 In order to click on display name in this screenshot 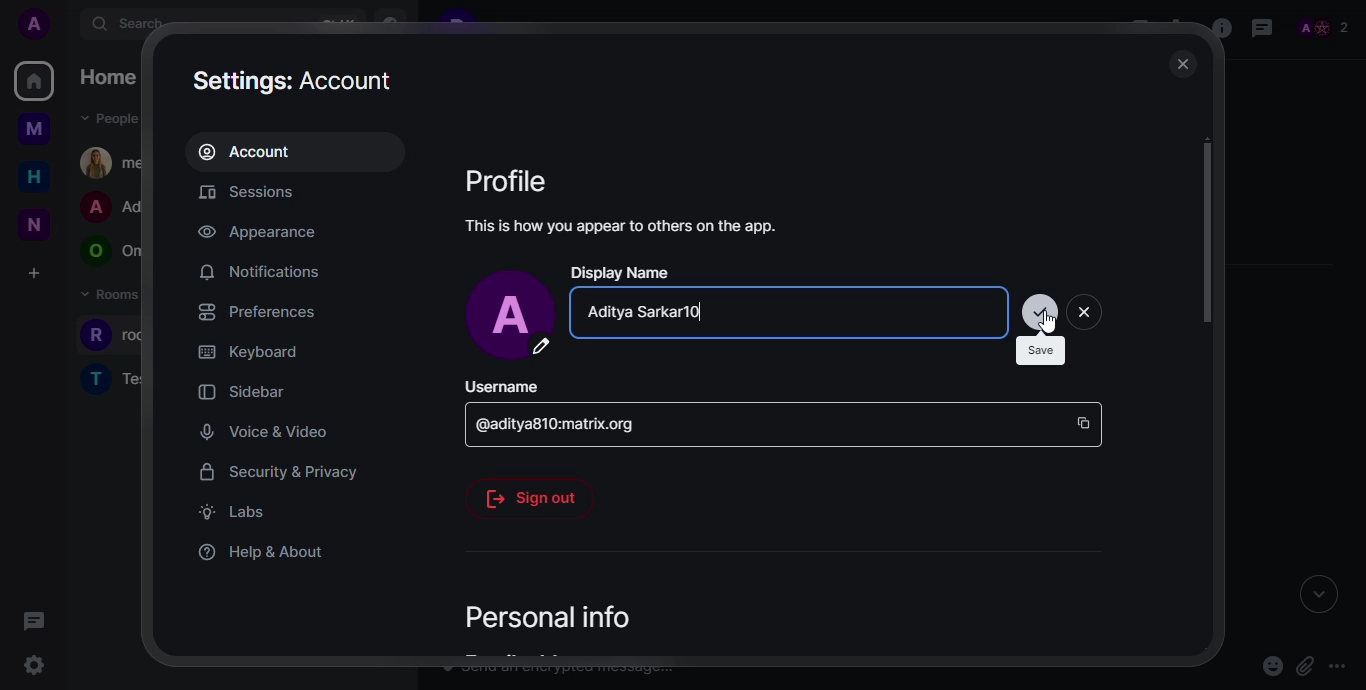, I will do `click(622, 272)`.